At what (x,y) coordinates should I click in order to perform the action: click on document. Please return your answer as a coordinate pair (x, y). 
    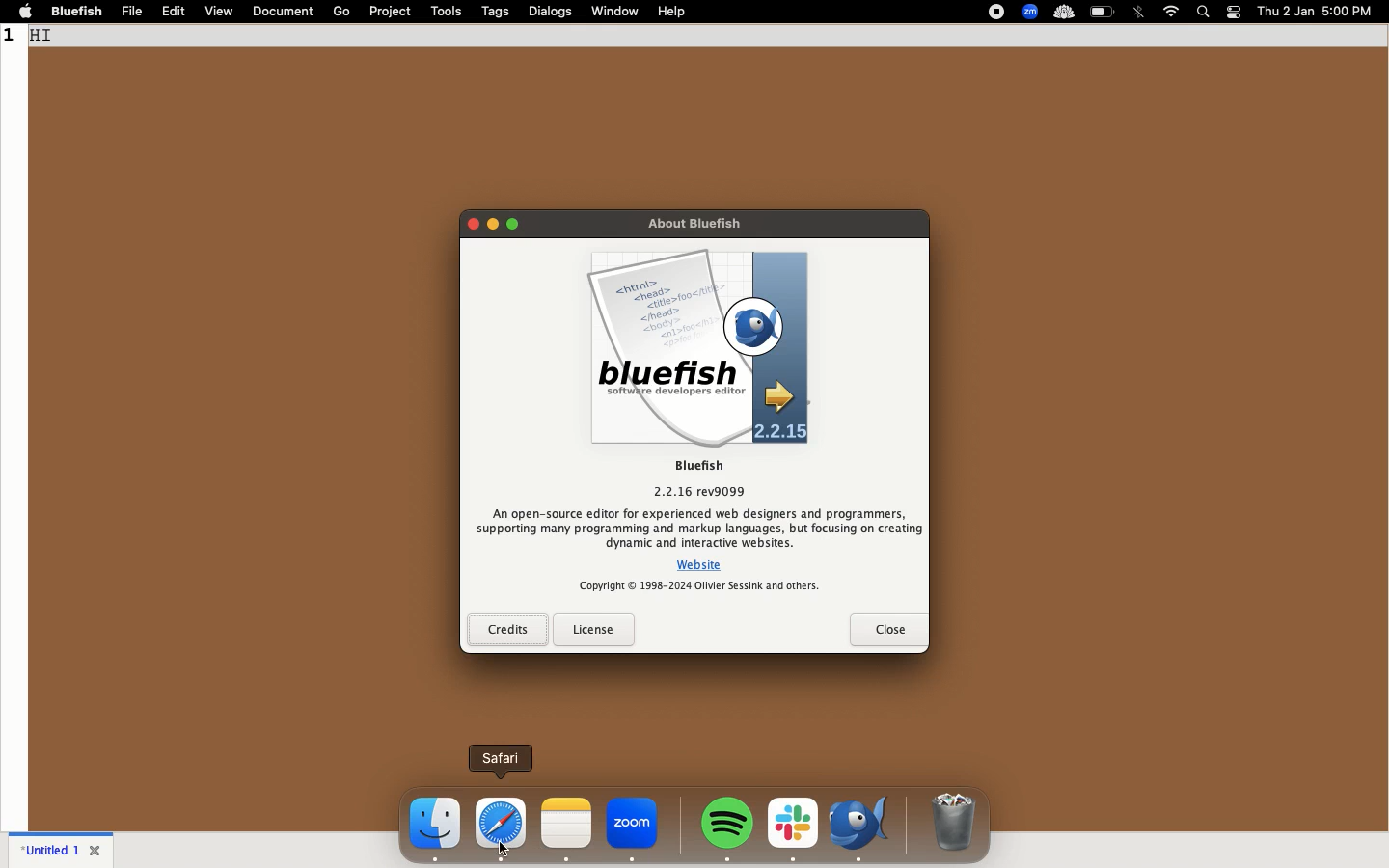
    Looking at the image, I should click on (286, 13).